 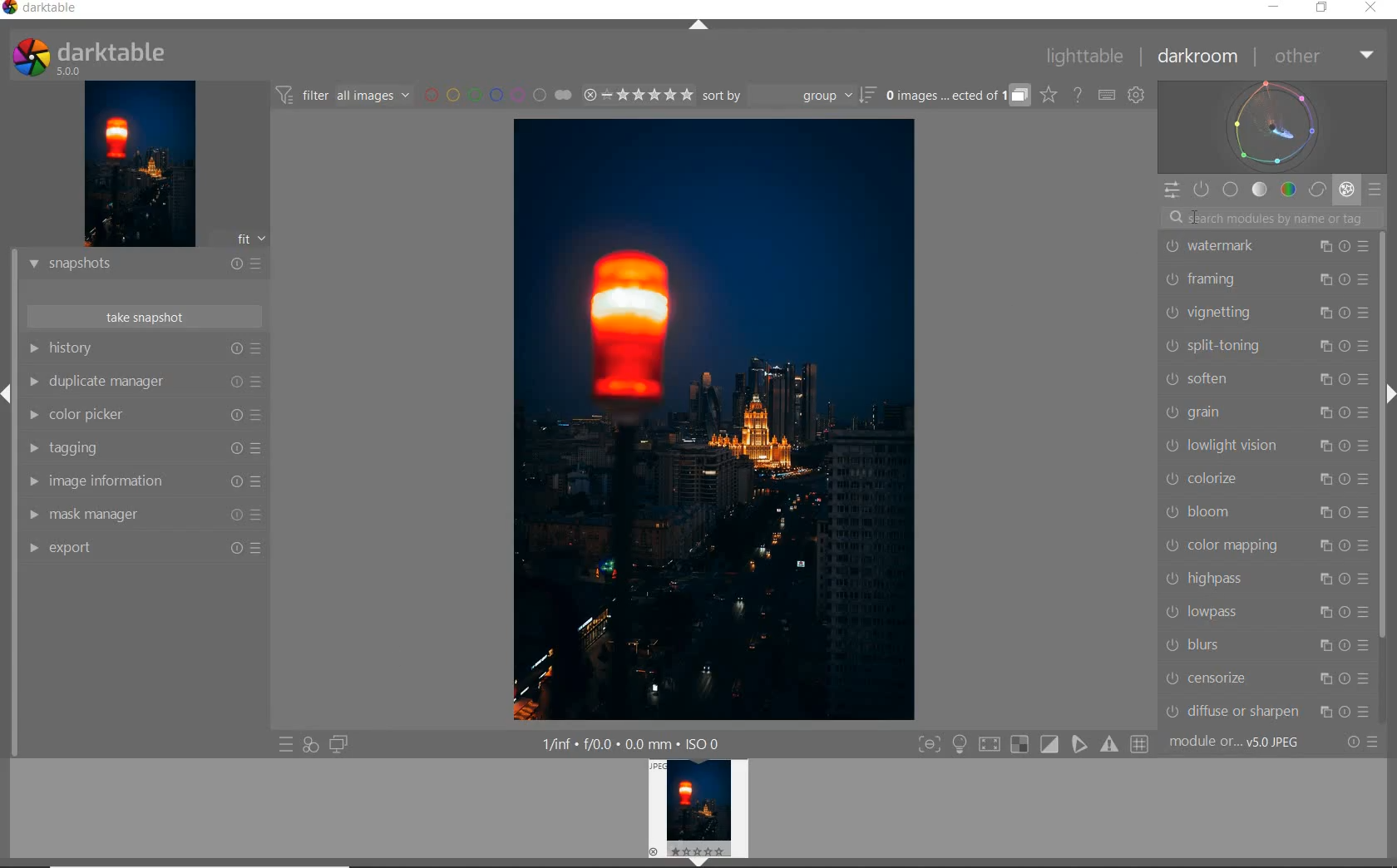 What do you see at coordinates (1034, 744) in the screenshot?
I see `TOGGLE MODES` at bounding box center [1034, 744].